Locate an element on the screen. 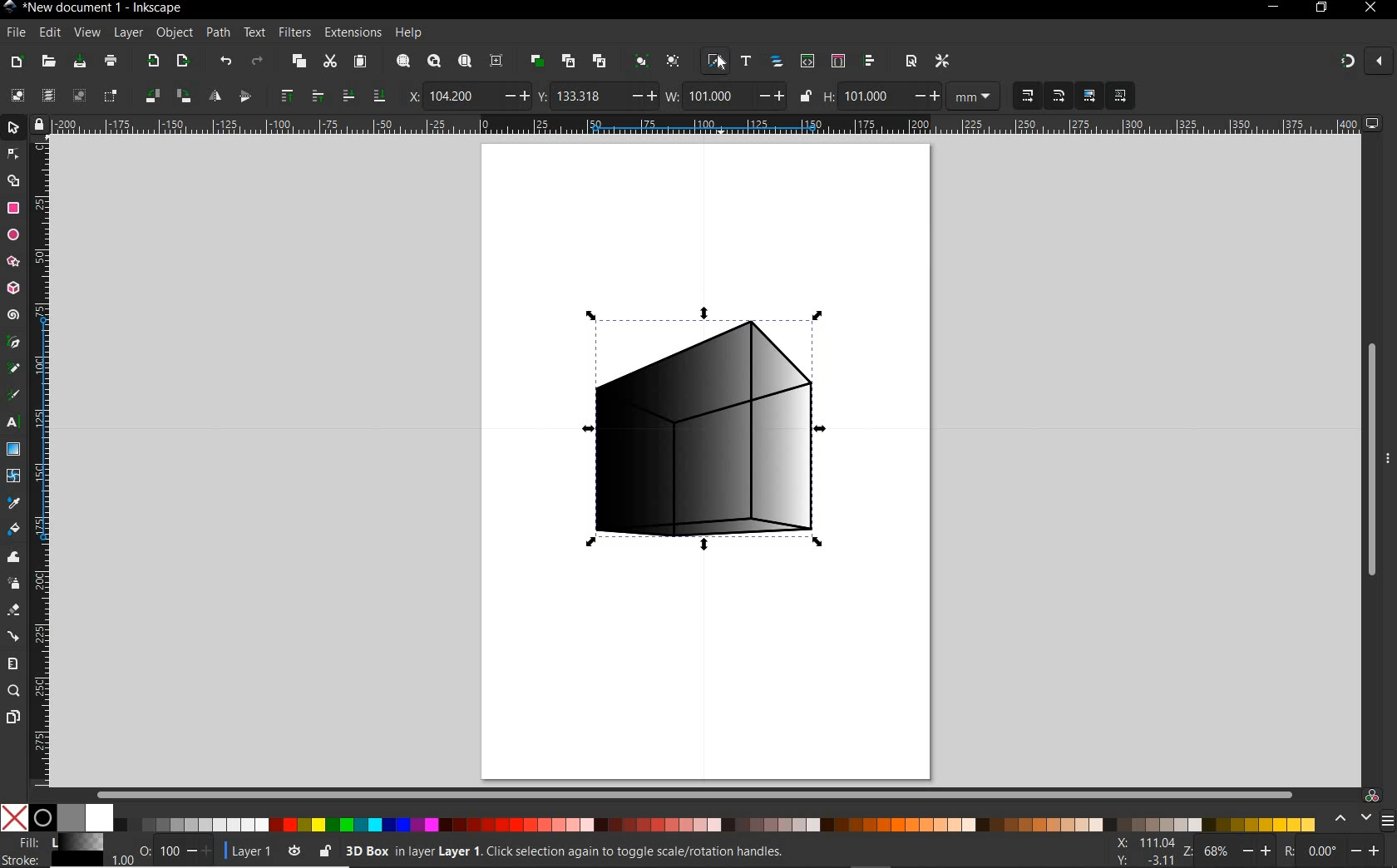  increase/decrease is located at coordinates (513, 96).